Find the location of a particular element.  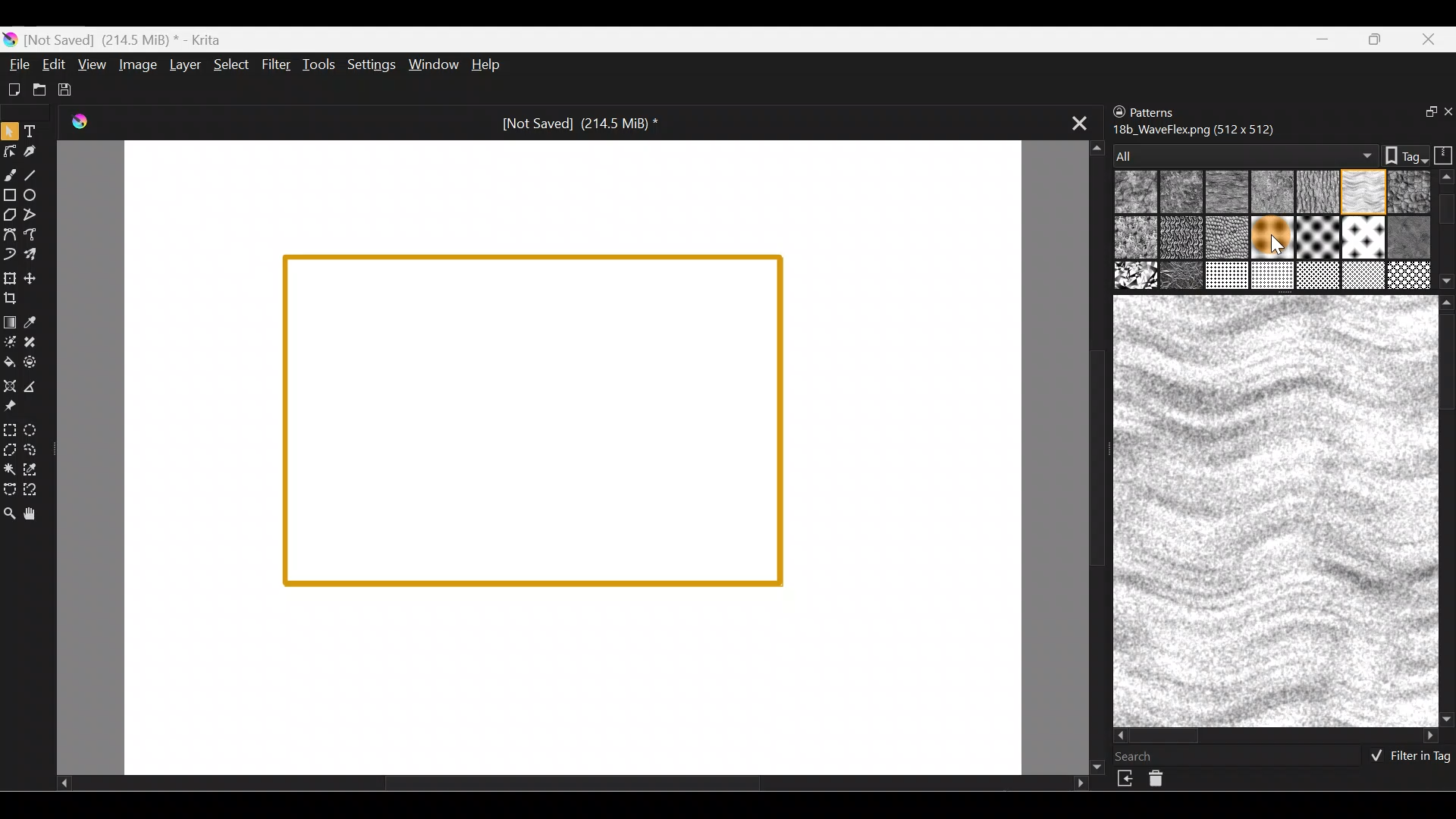

Magnetic curve selection tool is located at coordinates (41, 490).